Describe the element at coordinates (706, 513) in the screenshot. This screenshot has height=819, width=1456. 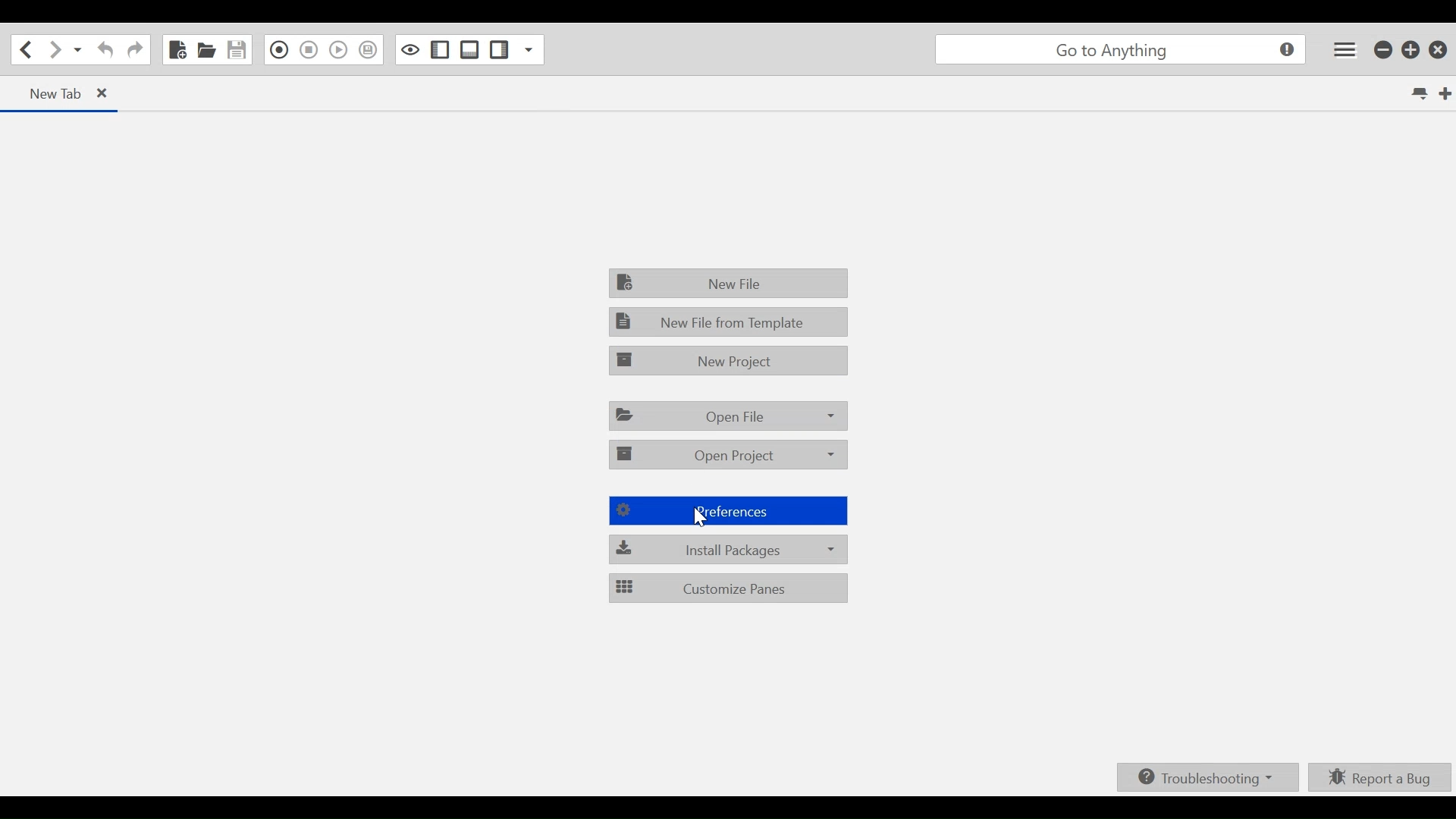
I see `cursor` at that location.